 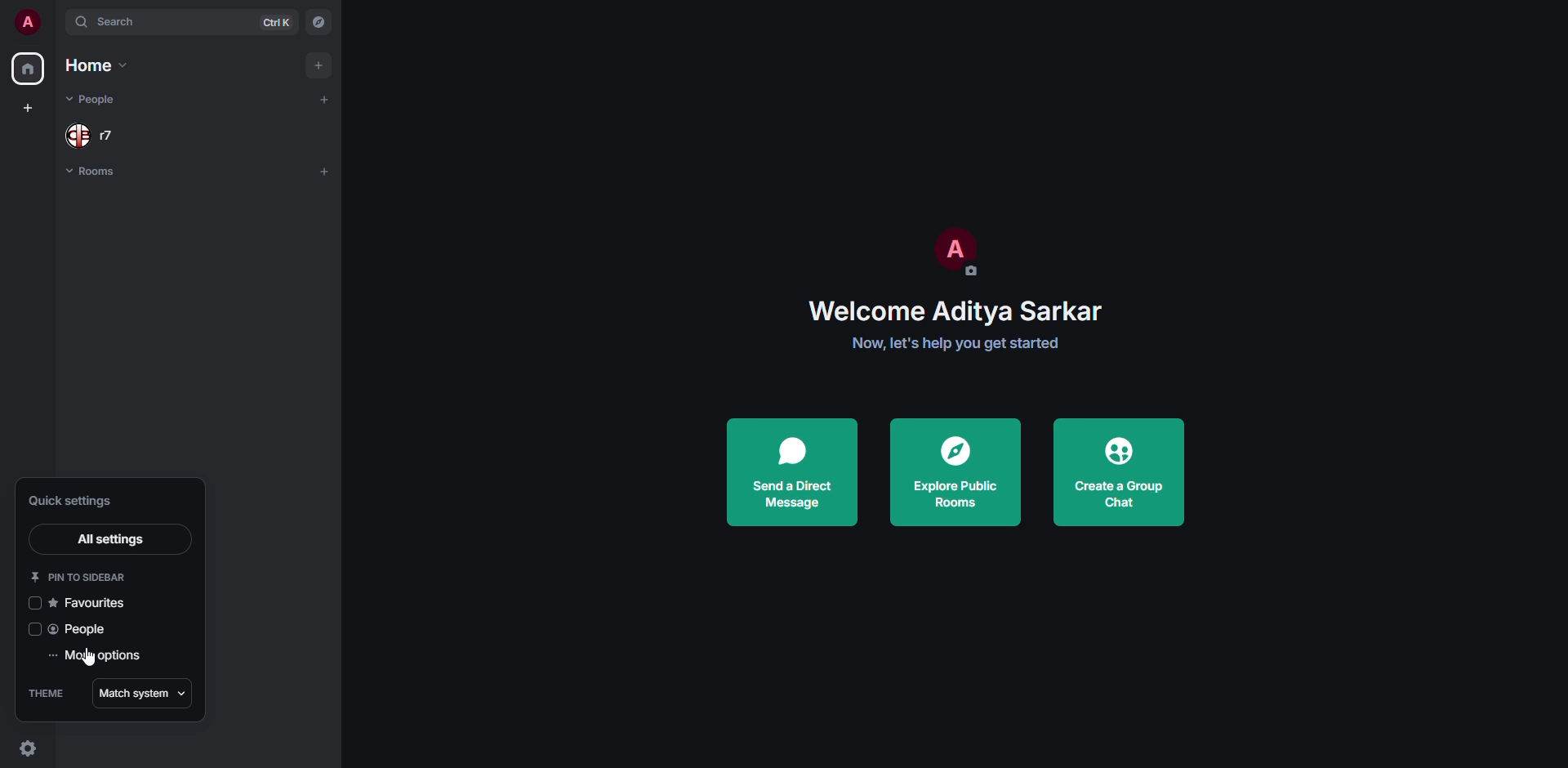 What do you see at coordinates (952, 309) in the screenshot?
I see `Welcome Aditya Sarkar` at bounding box center [952, 309].